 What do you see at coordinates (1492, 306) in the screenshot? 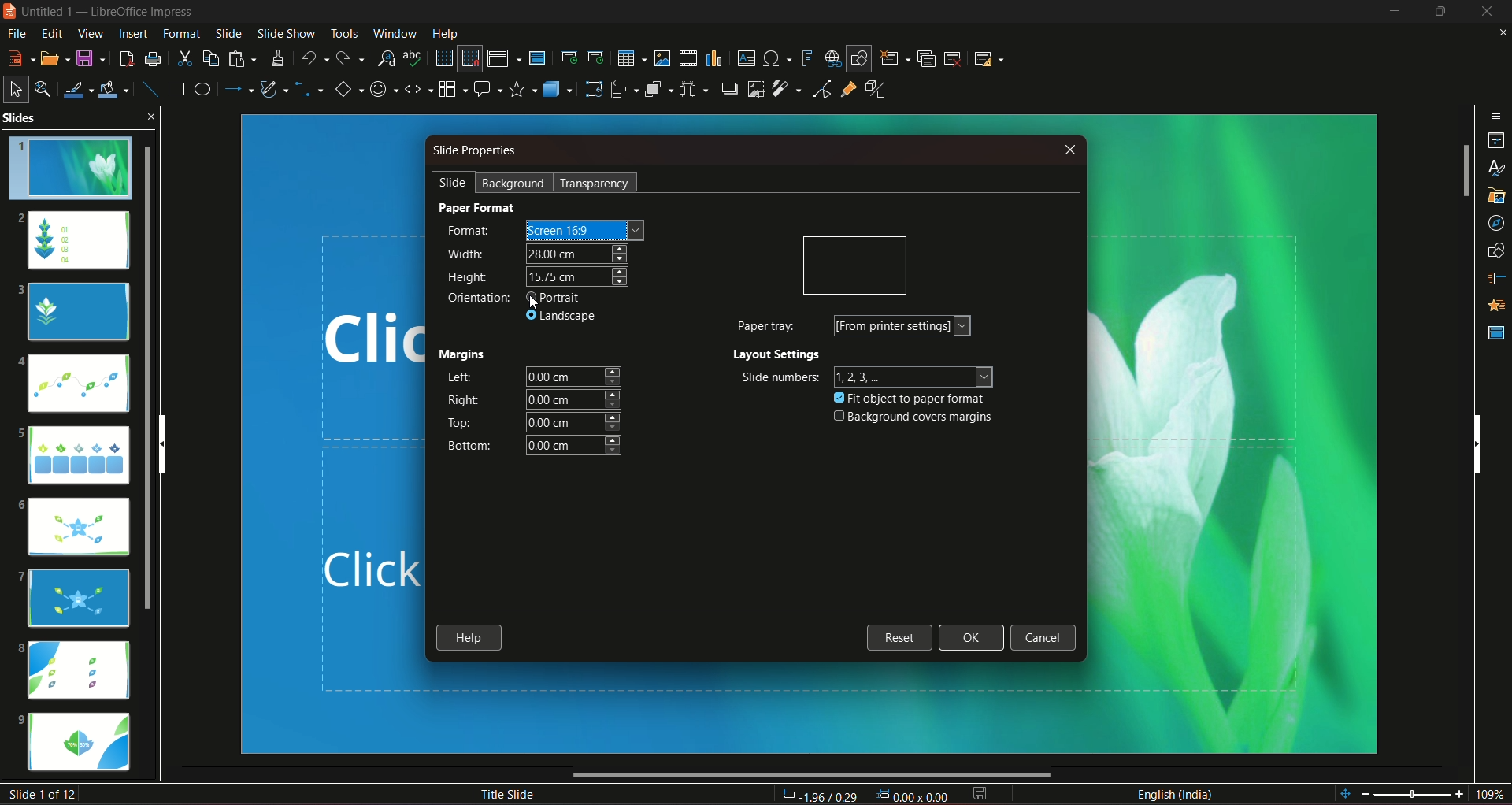
I see `animation` at bounding box center [1492, 306].